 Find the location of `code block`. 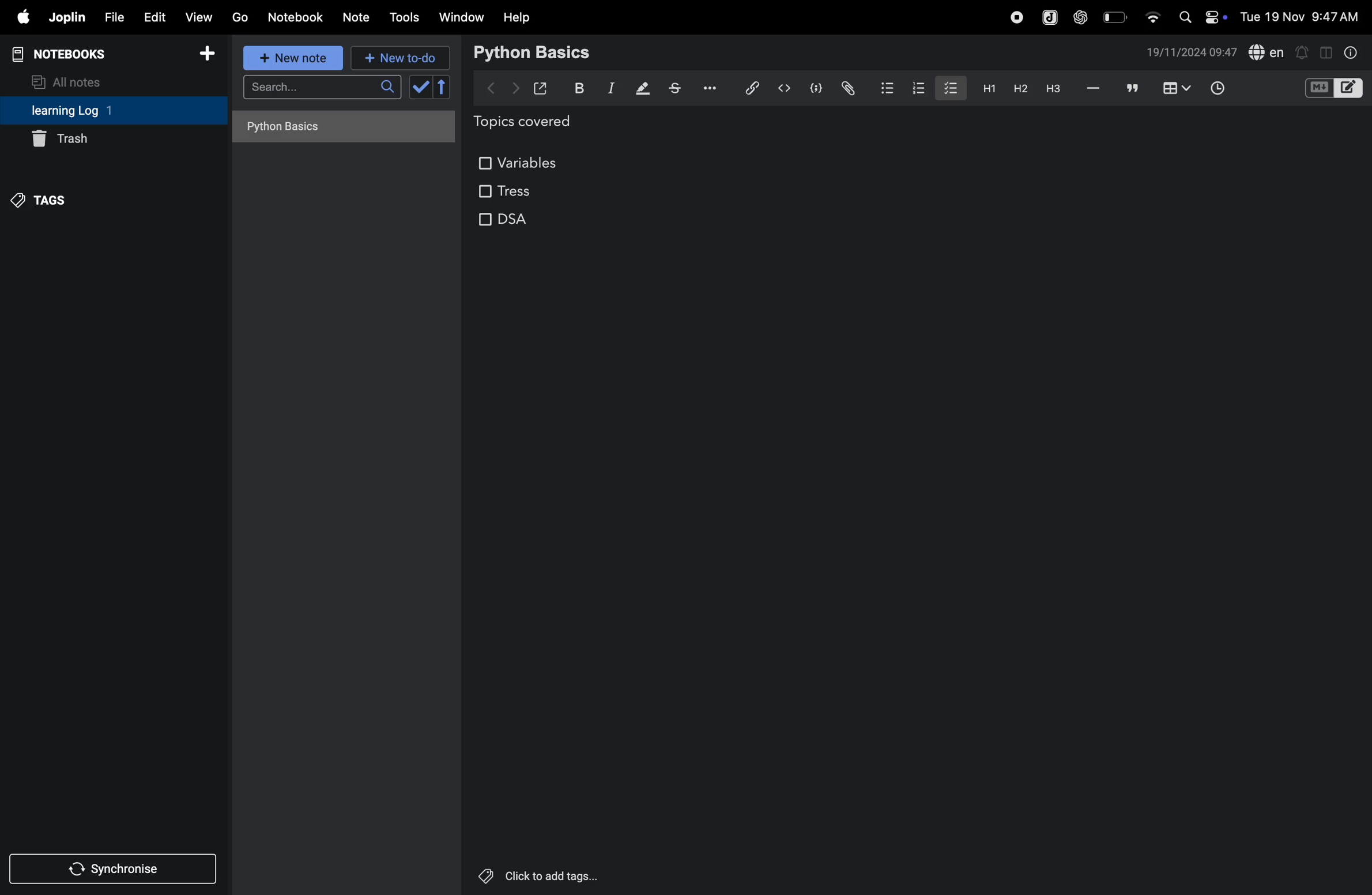

code block is located at coordinates (814, 89).